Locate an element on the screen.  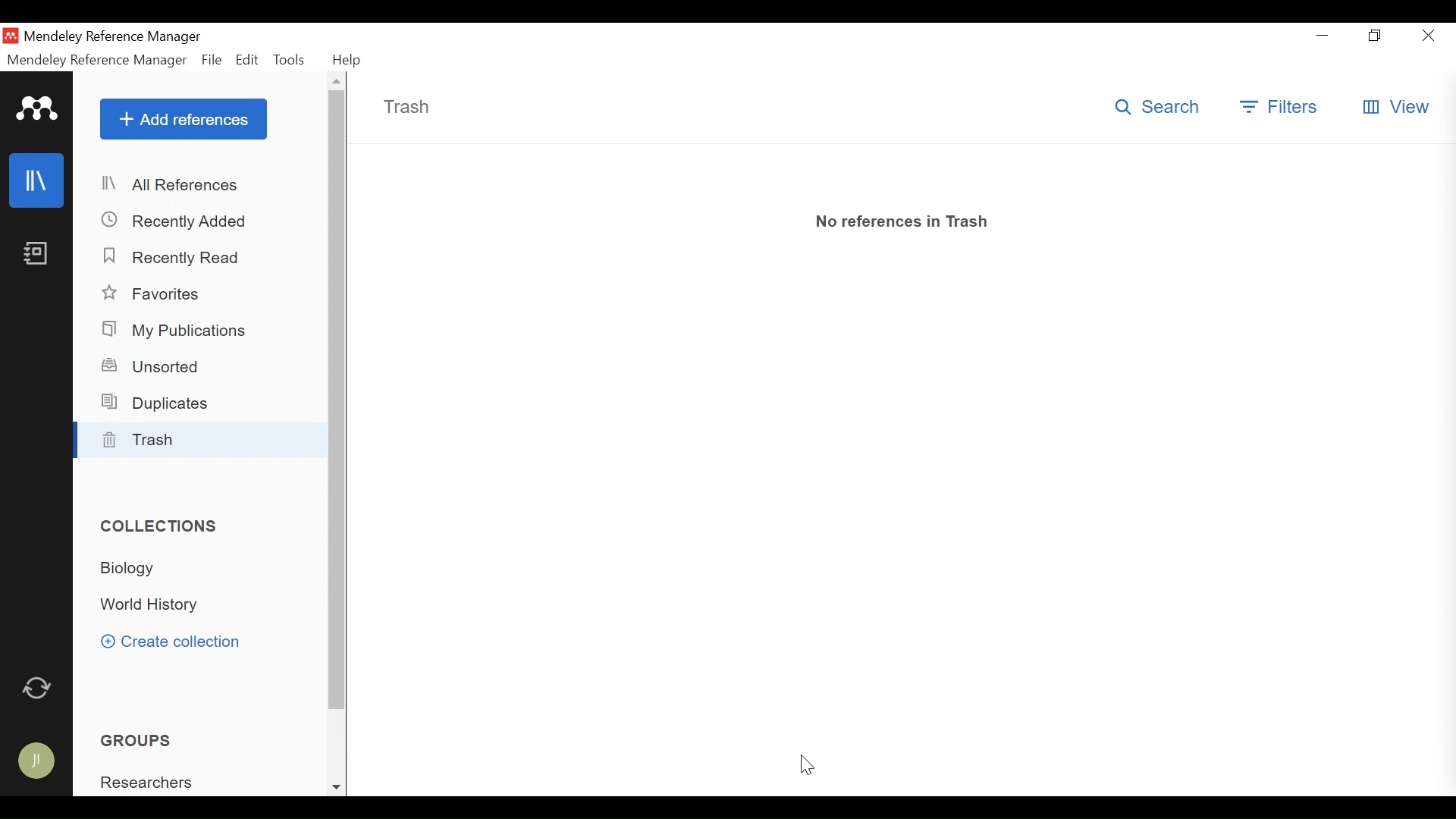
Cursor is located at coordinates (803, 761).